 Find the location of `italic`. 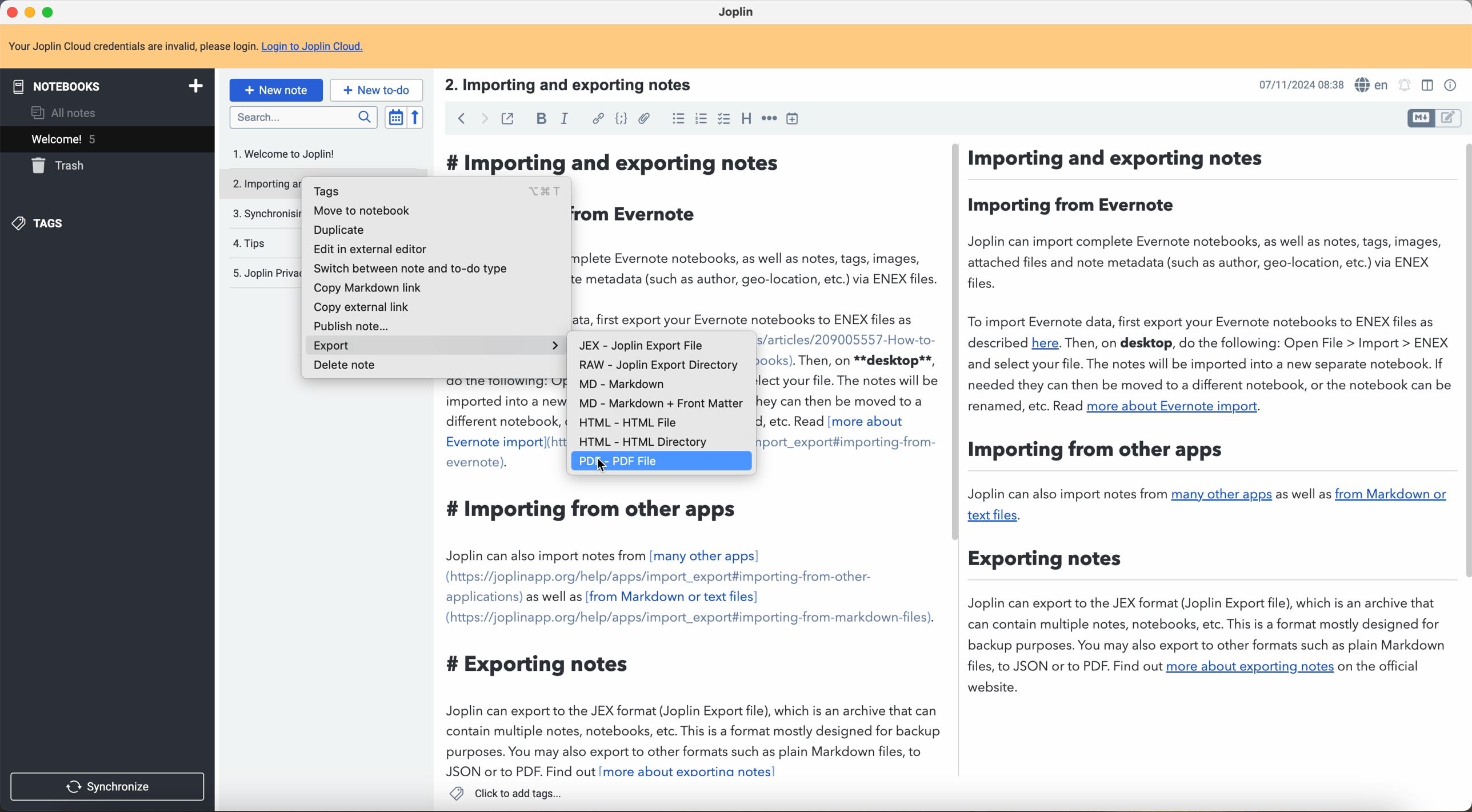

italic is located at coordinates (566, 119).